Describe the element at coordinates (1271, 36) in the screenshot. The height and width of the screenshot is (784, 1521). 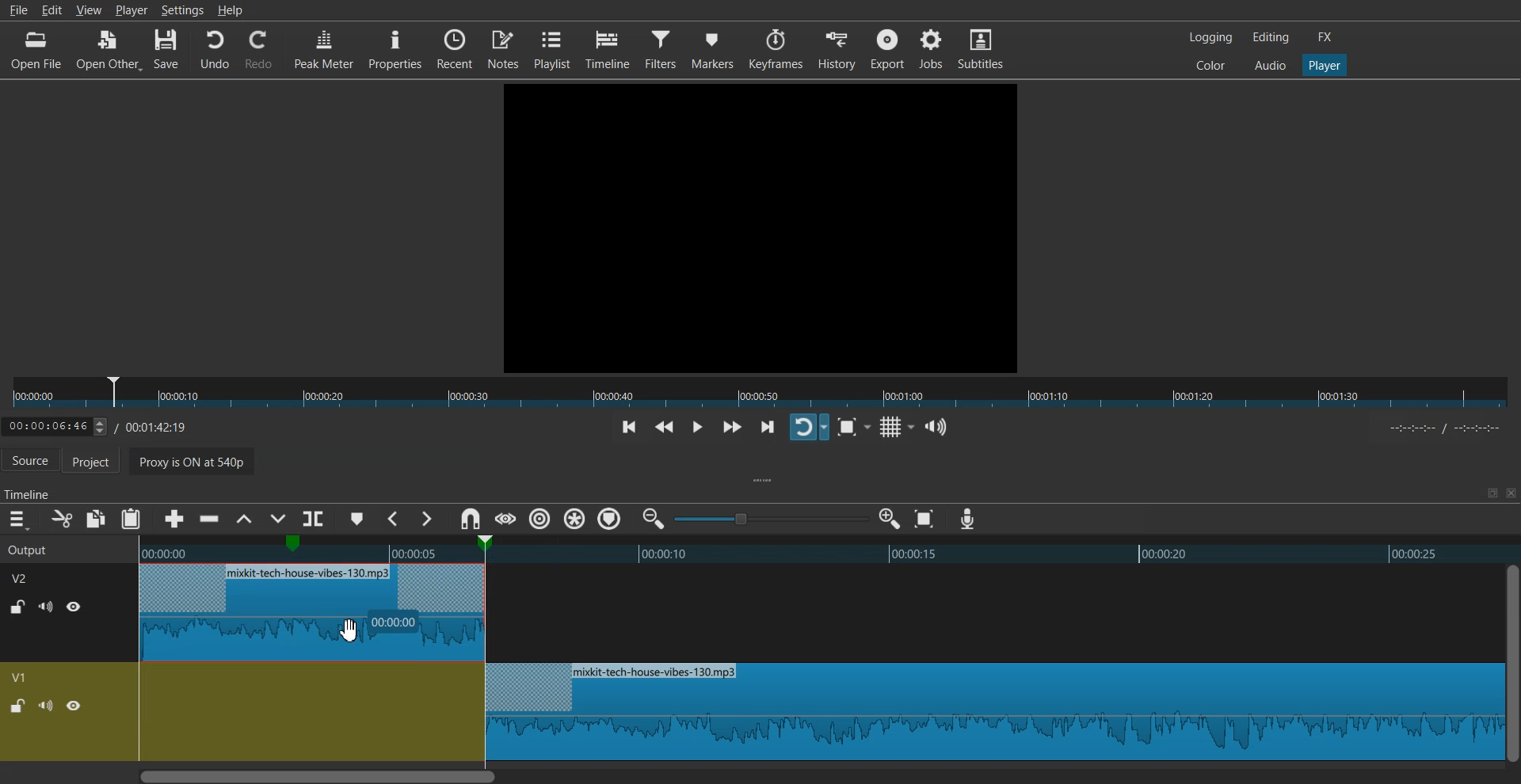
I see `Editing` at that location.